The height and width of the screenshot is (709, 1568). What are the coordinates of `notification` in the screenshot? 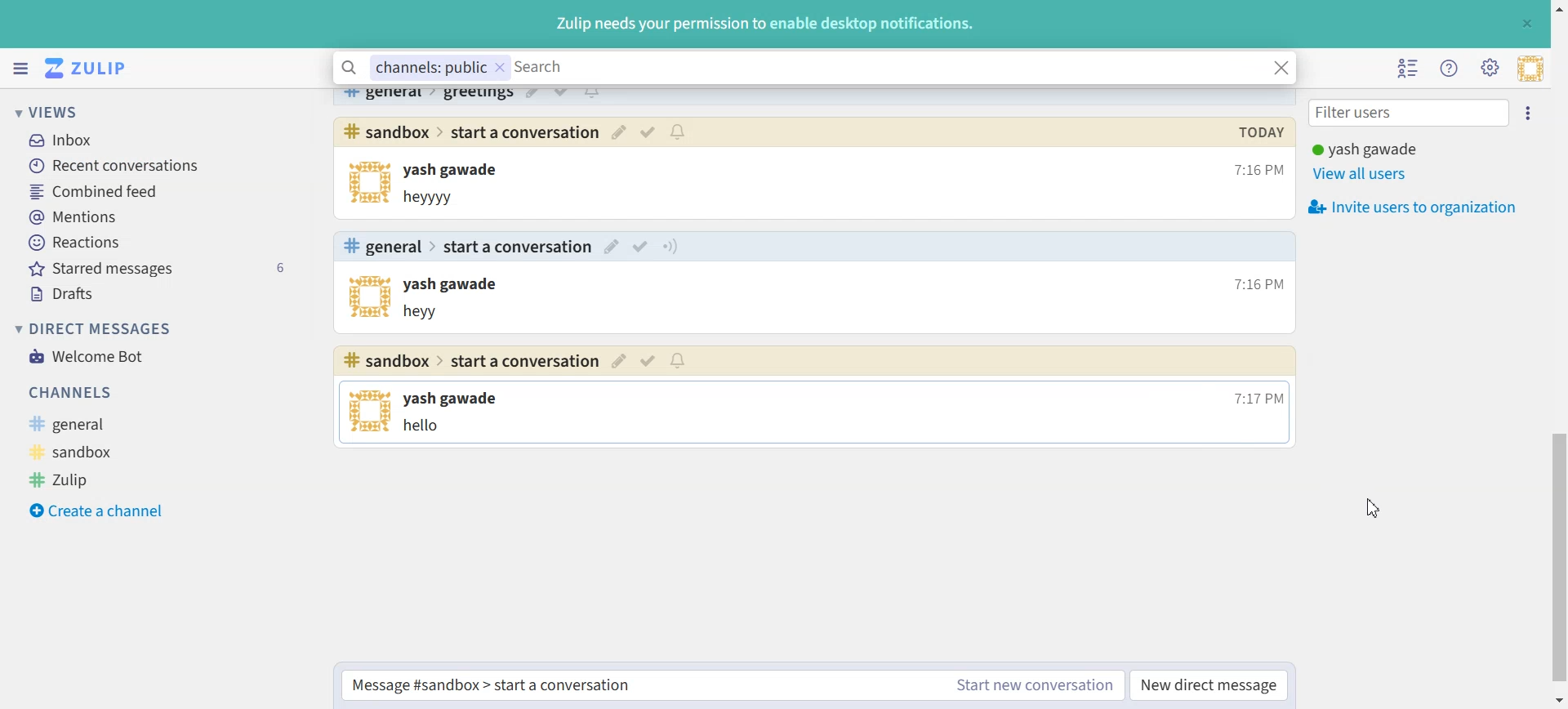 It's located at (679, 132).